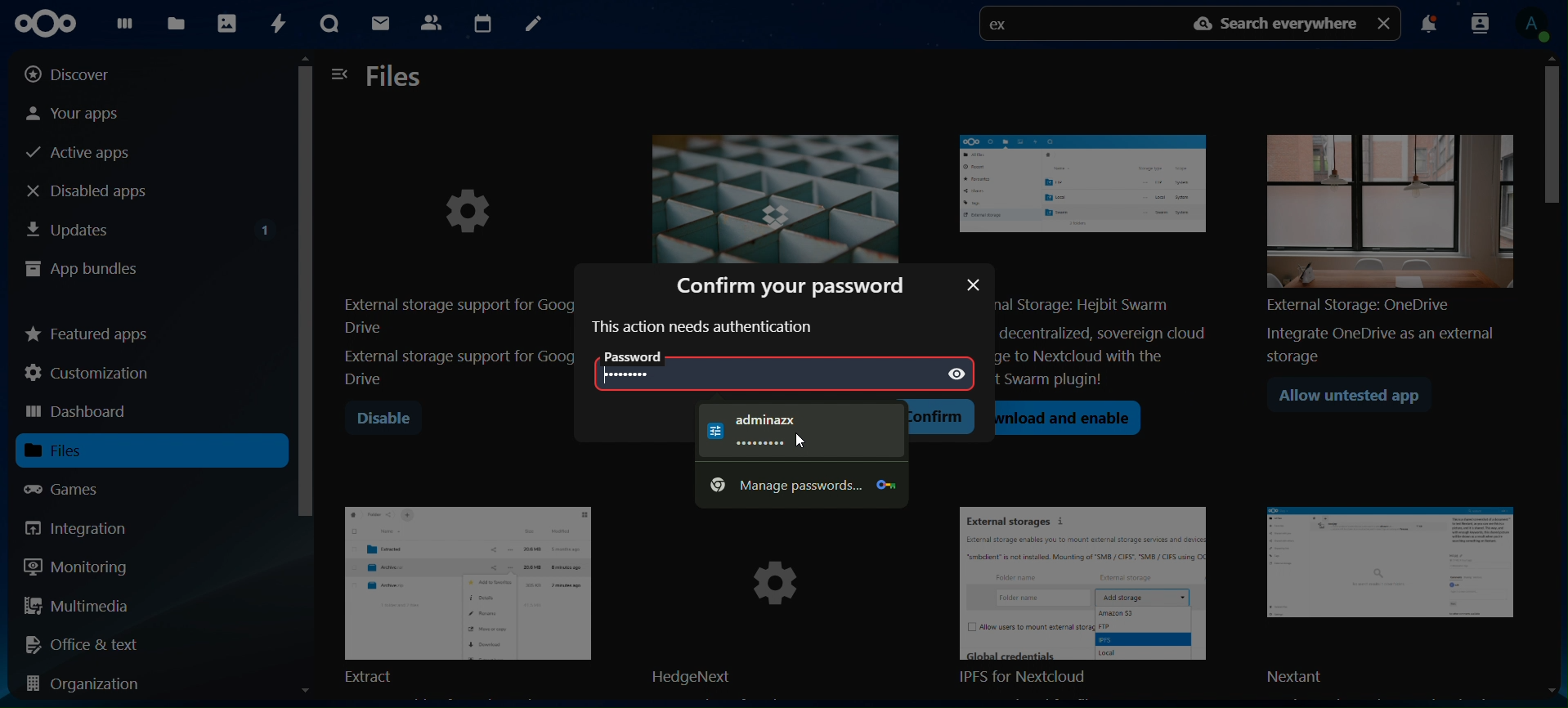 The width and height of the screenshot is (1568, 708). What do you see at coordinates (531, 25) in the screenshot?
I see `notes` at bounding box center [531, 25].